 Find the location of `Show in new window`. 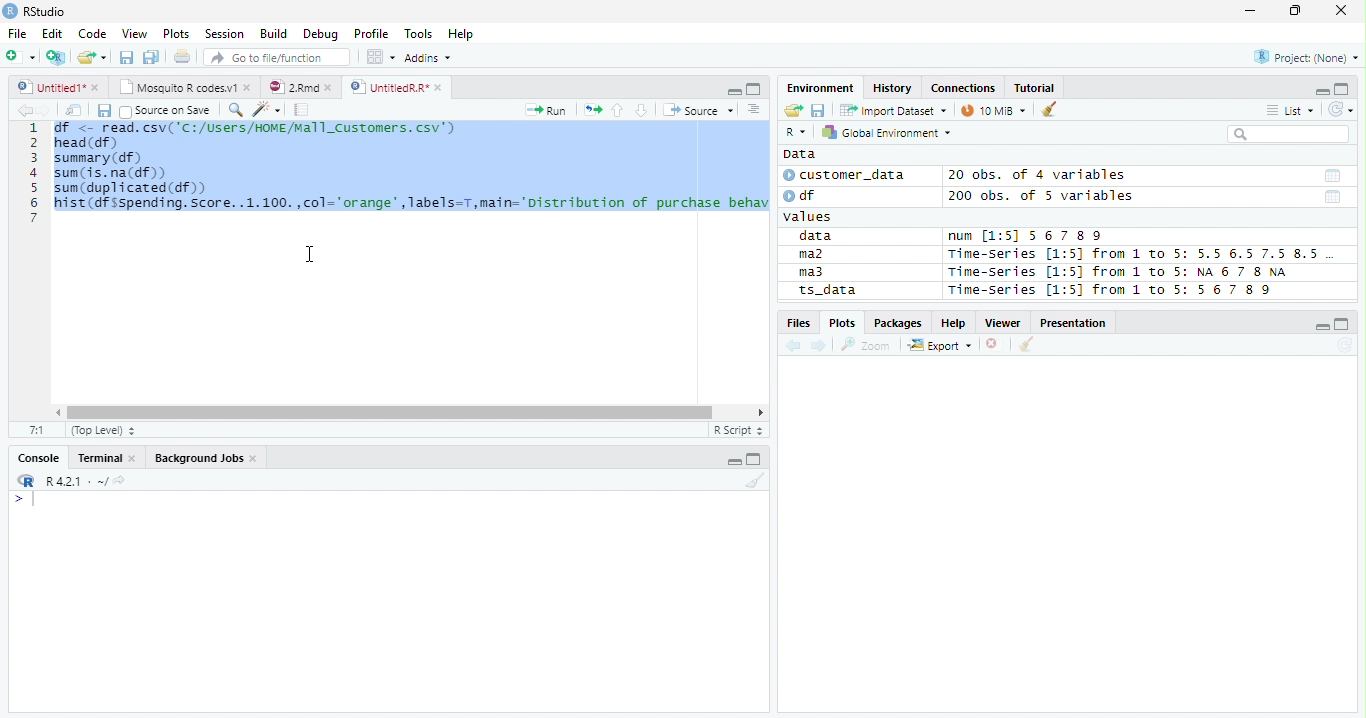

Show in new window is located at coordinates (75, 110).